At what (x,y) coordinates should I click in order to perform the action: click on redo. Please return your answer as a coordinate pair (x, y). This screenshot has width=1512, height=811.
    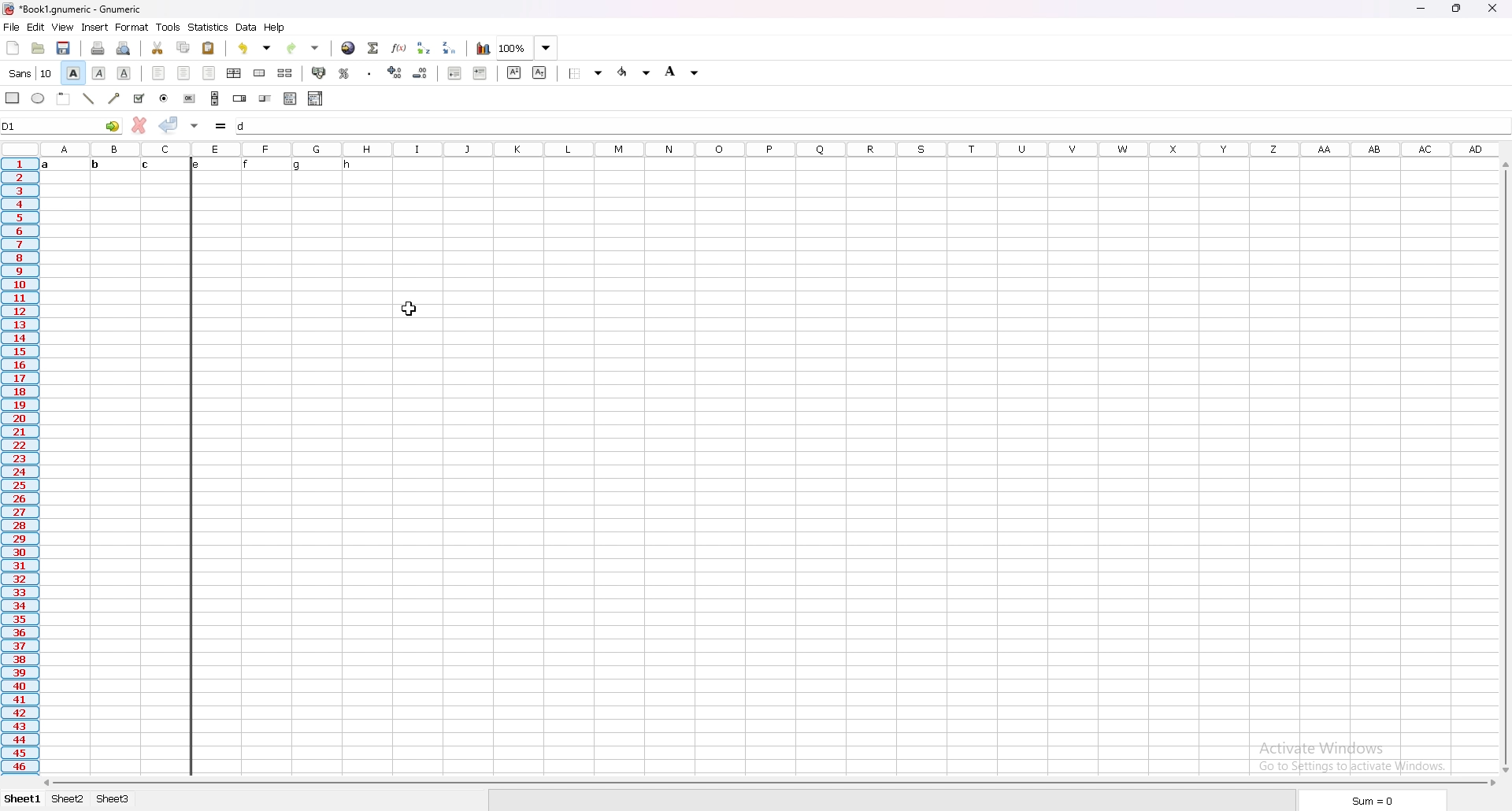
    Looking at the image, I should click on (305, 48).